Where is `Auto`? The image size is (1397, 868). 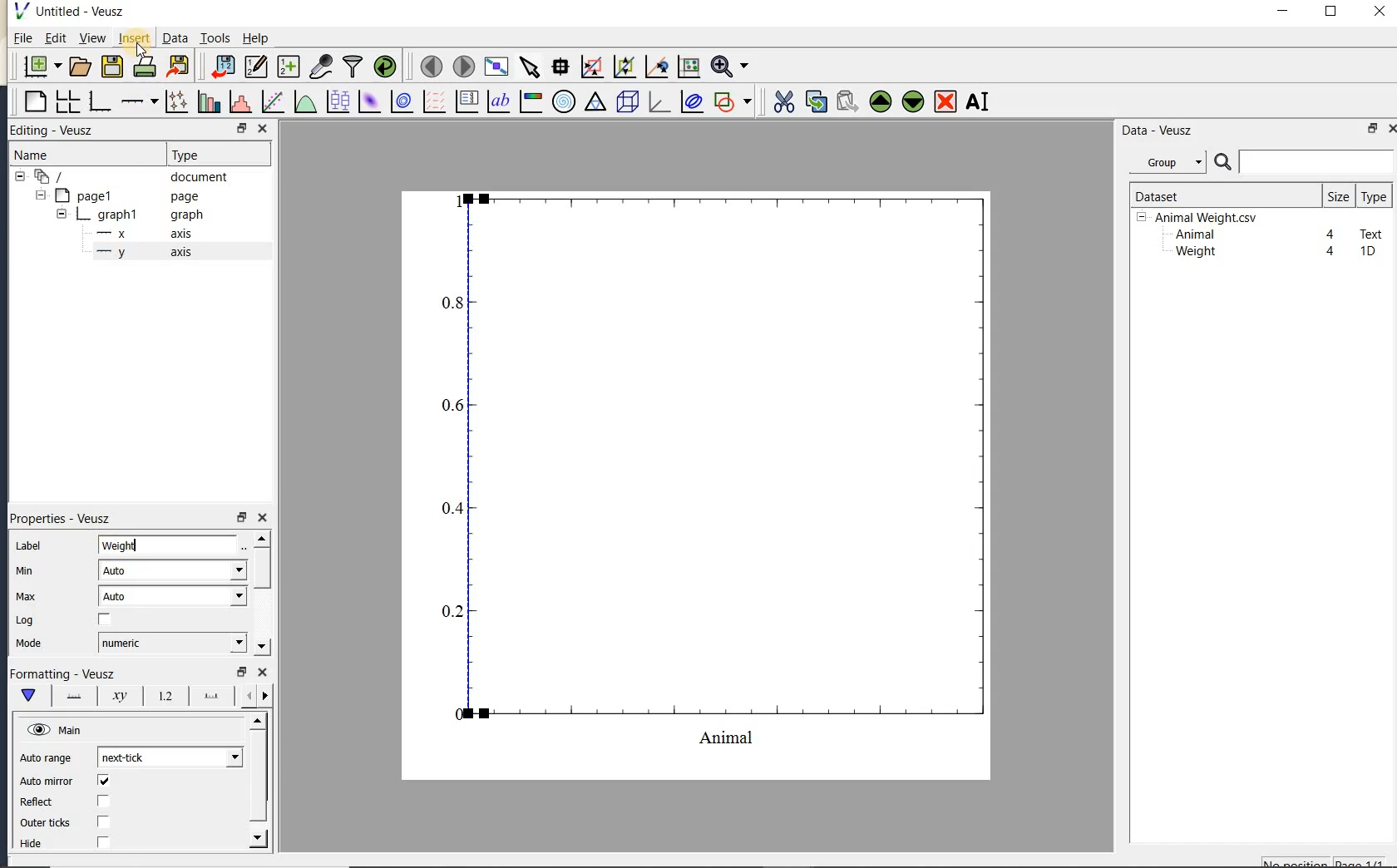 Auto is located at coordinates (172, 570).